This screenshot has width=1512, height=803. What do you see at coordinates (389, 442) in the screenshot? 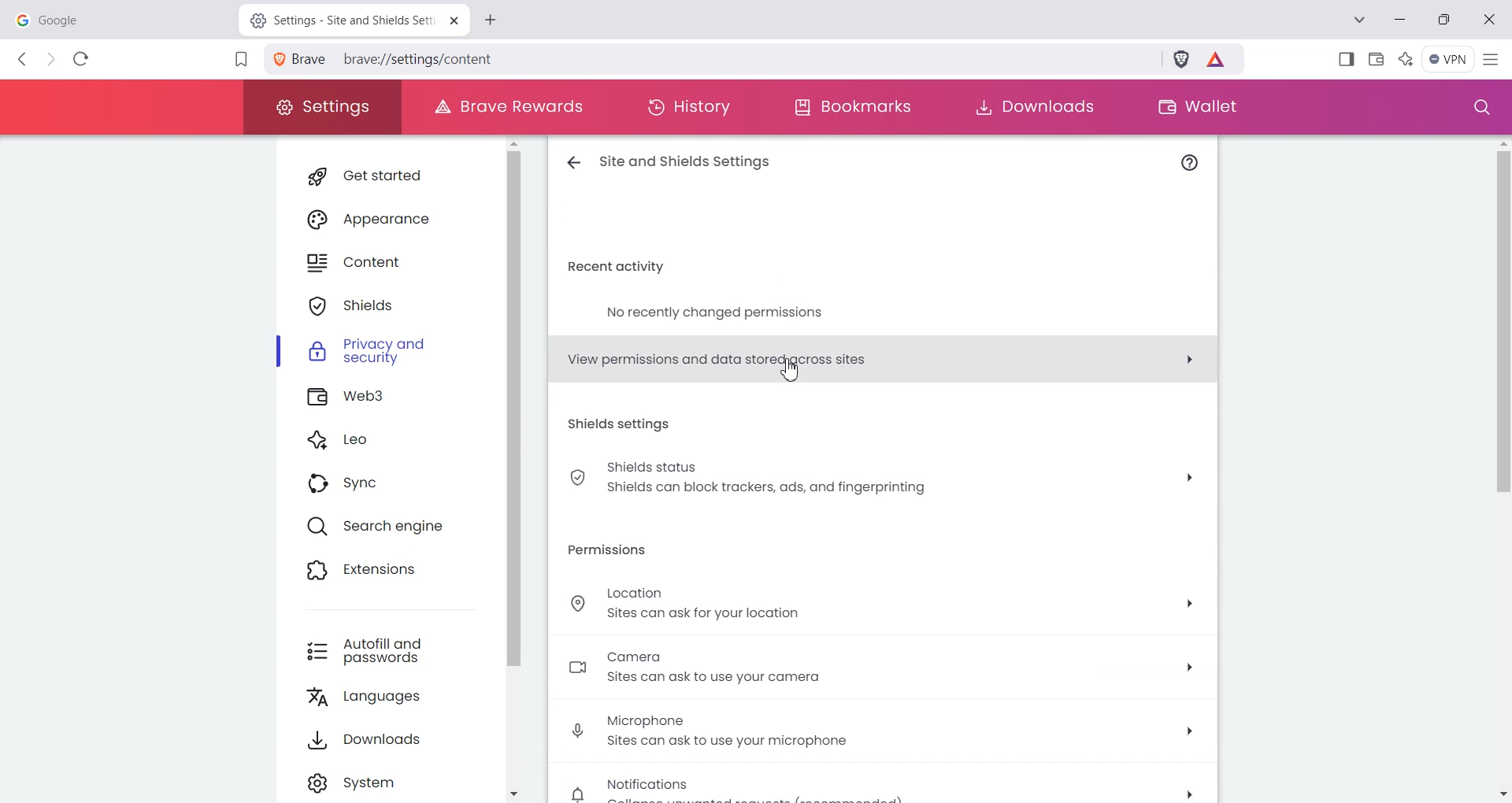
I see `Leo` at bounding box center [389, 442].